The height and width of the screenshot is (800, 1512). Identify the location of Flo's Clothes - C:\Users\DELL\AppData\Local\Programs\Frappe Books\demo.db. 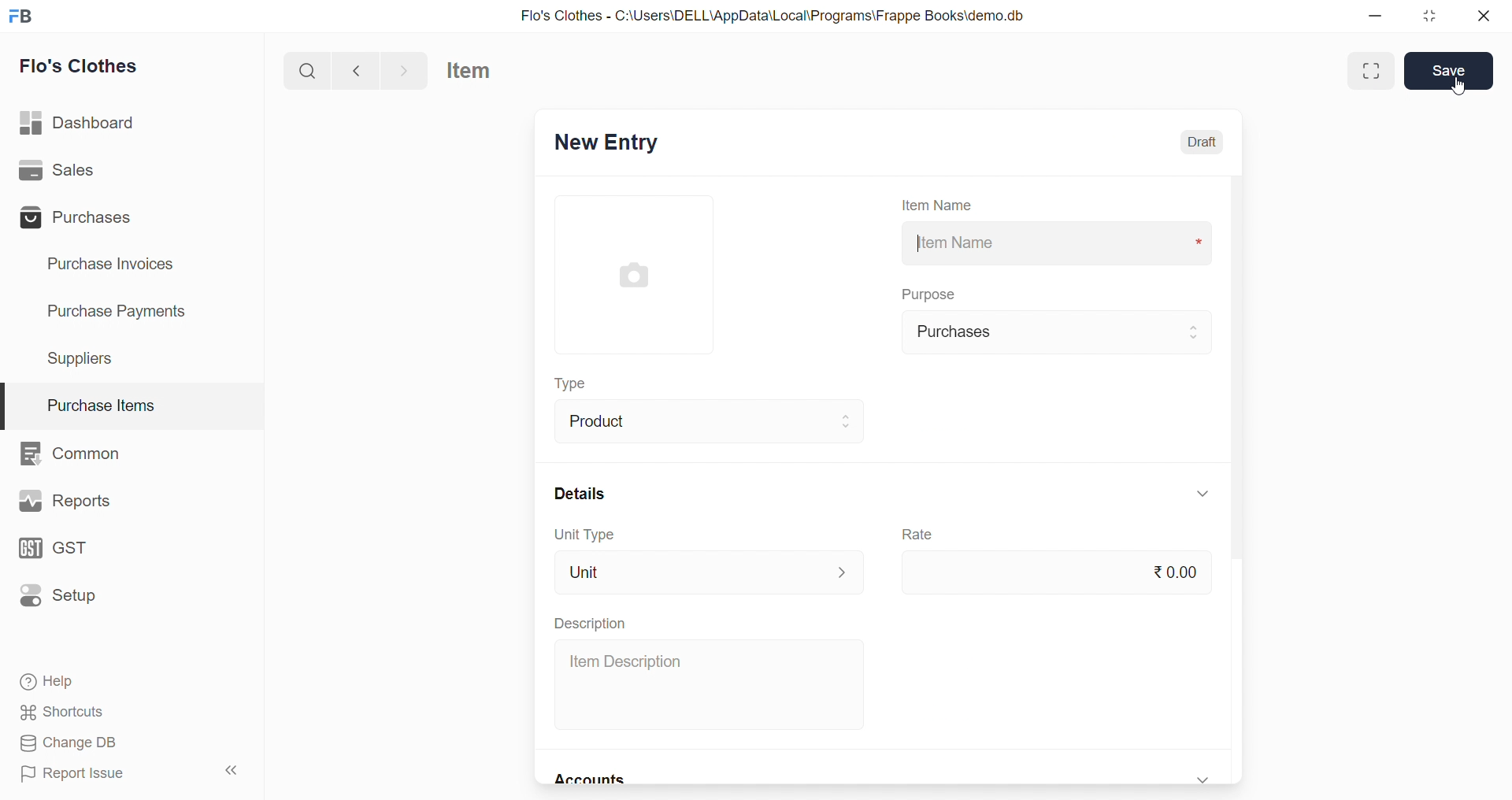
(773, 14).